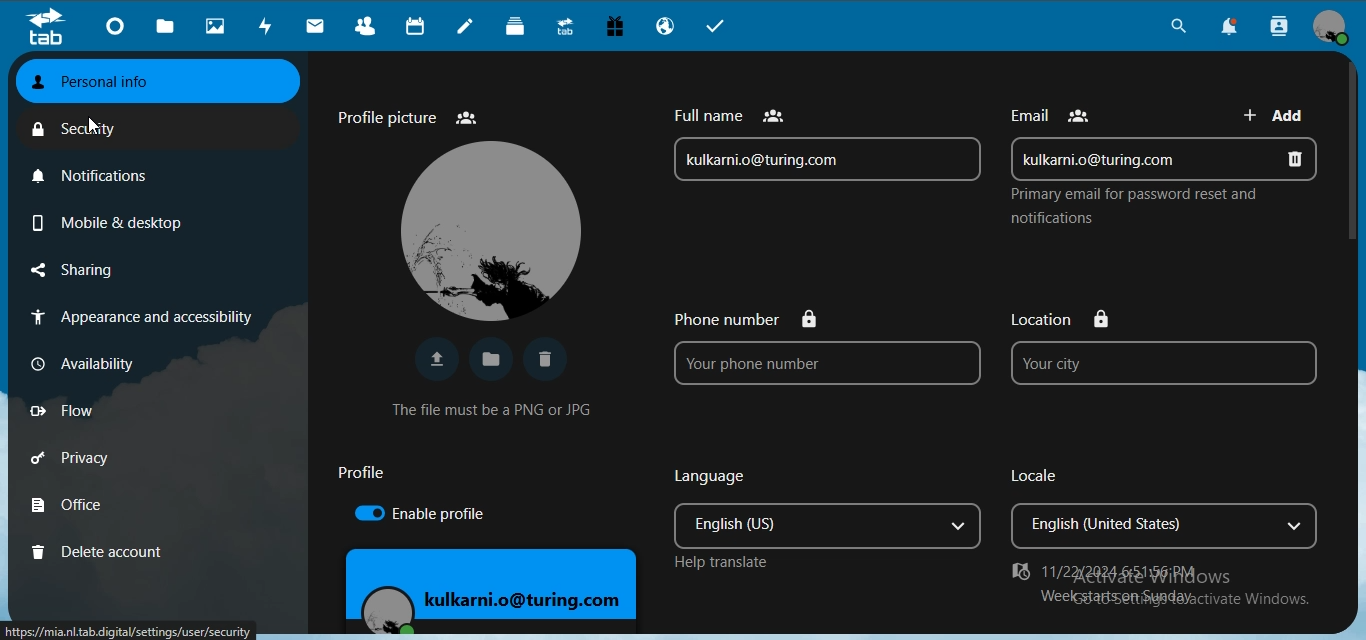 The height and width of the screenshot is (640, 1366). What do you see at coordinates (103, 271) in the screenshot?
I see `sharing` at bounding box center [103, 271].